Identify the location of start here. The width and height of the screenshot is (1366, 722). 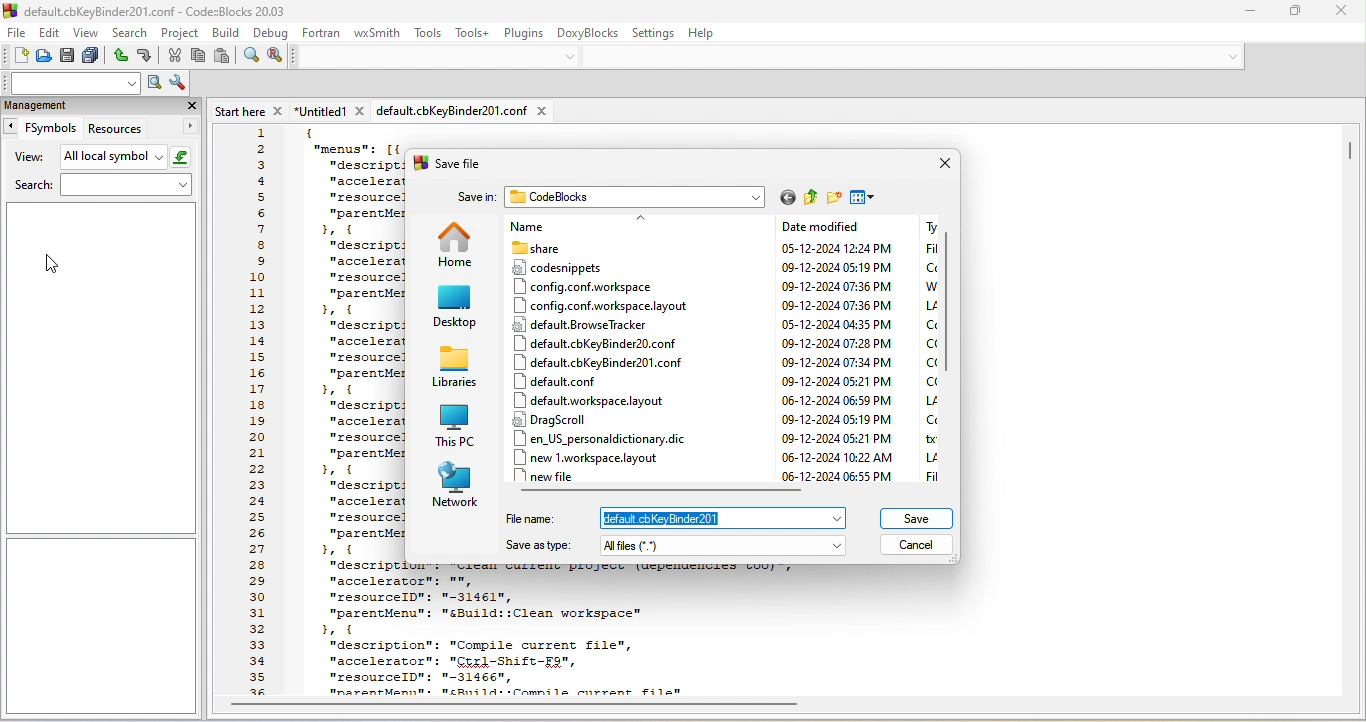
(252, 111).